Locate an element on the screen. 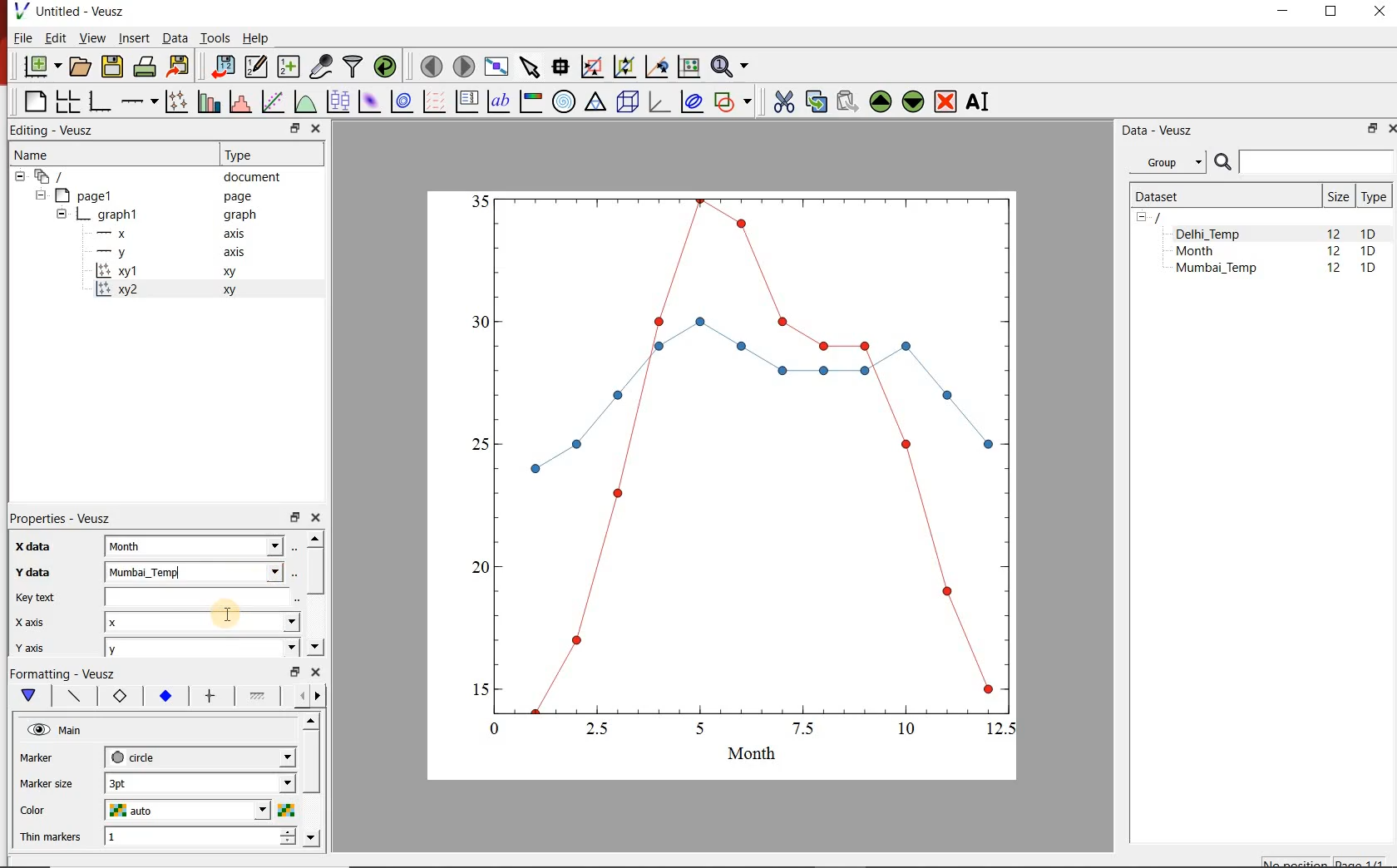 This screenshot has height=868, width=1397. RESTORE is located at coordinates (1331, 12).